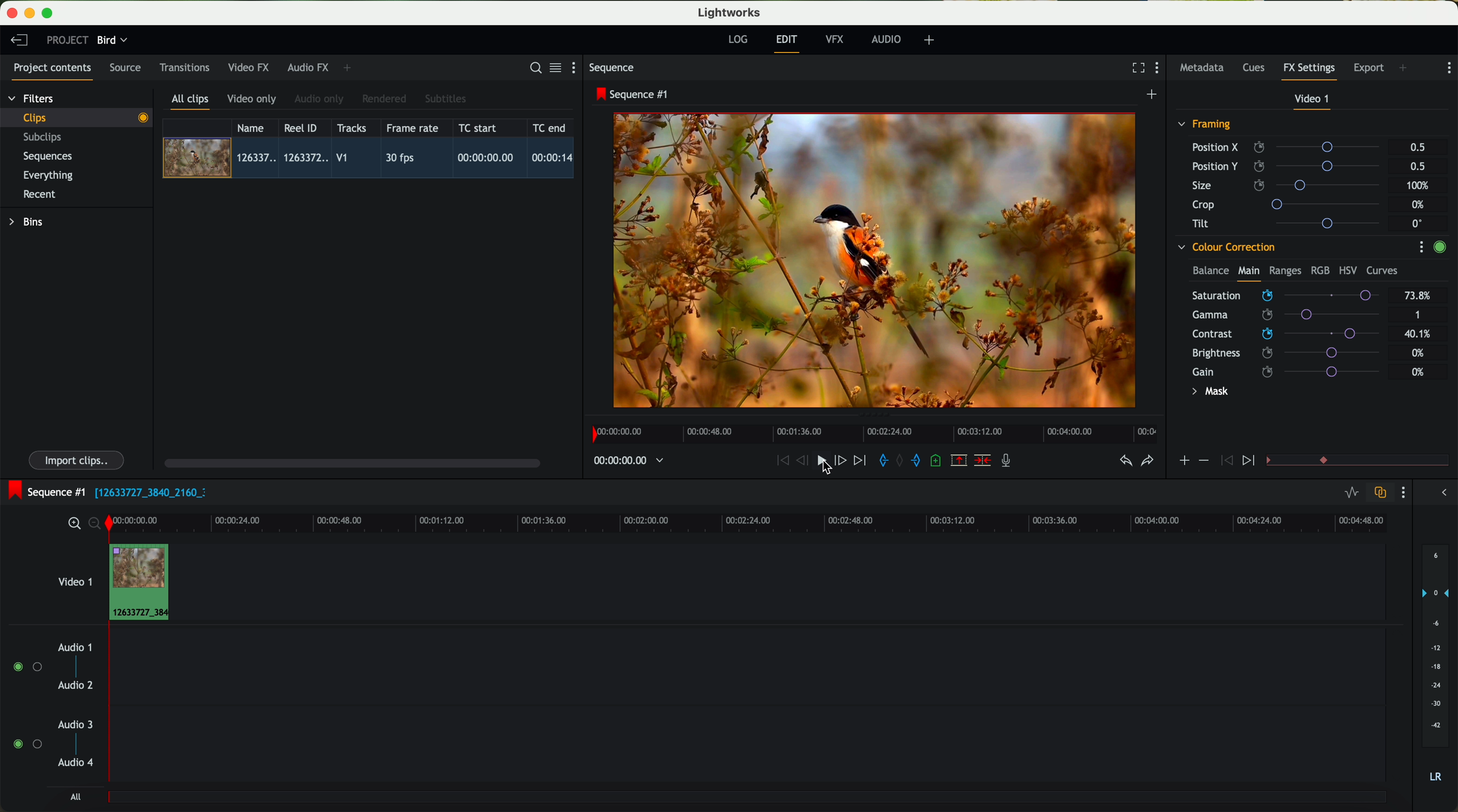 Image resolution: width=1458 pixels, height=812 pixels. What do you see at coordinates (372, 160) in the screenshot?
I see `click on video` at bounding box center [372, 160].